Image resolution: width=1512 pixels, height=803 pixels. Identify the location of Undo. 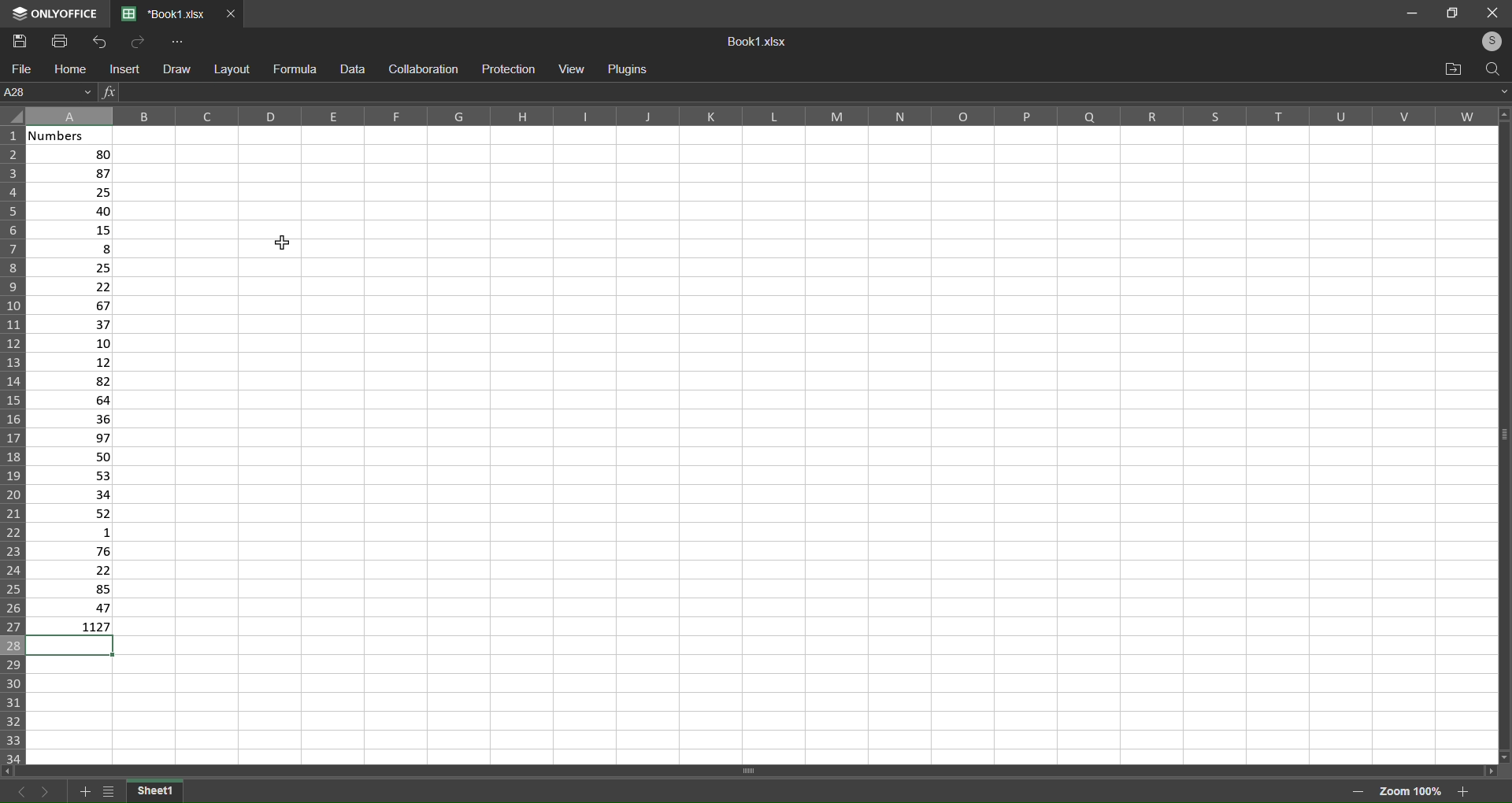
(98, 43).